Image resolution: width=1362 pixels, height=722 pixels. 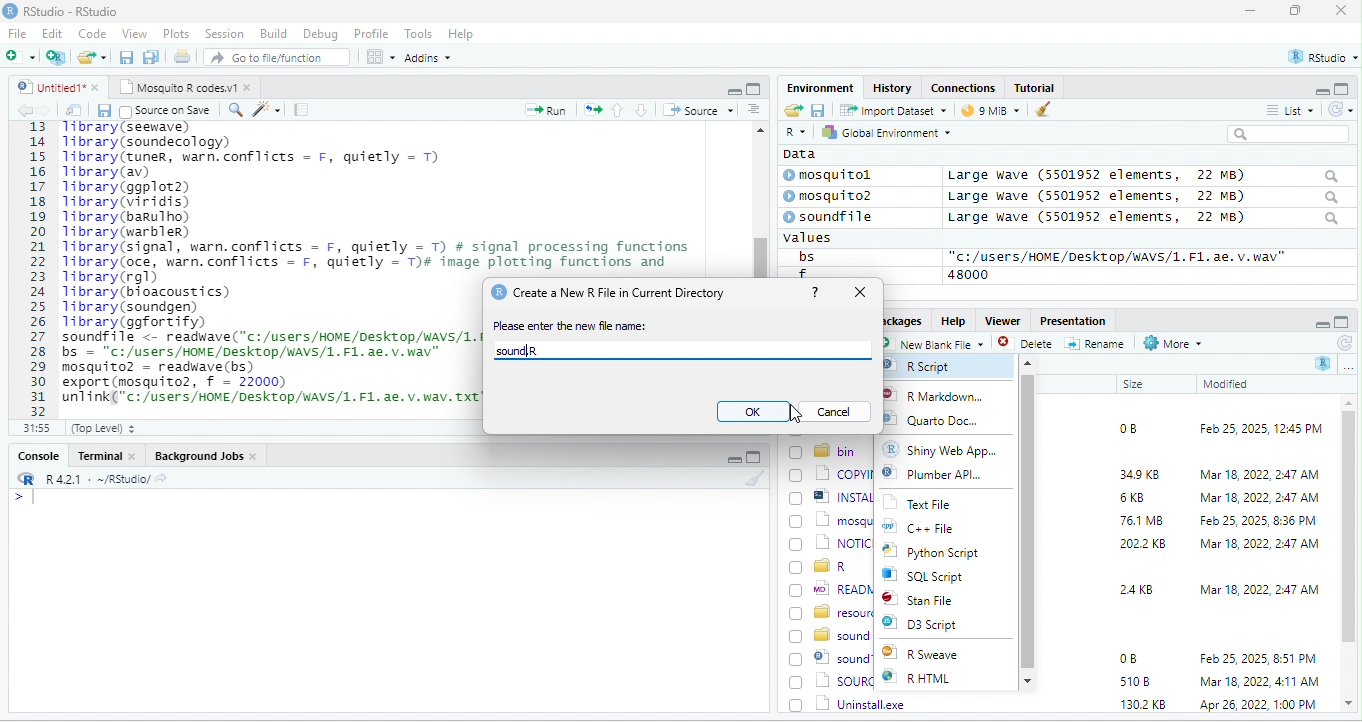 What do you see at coordinates (1133, 588) in the screenshot?
I see `24KB` at bounding box center [1133, 588].